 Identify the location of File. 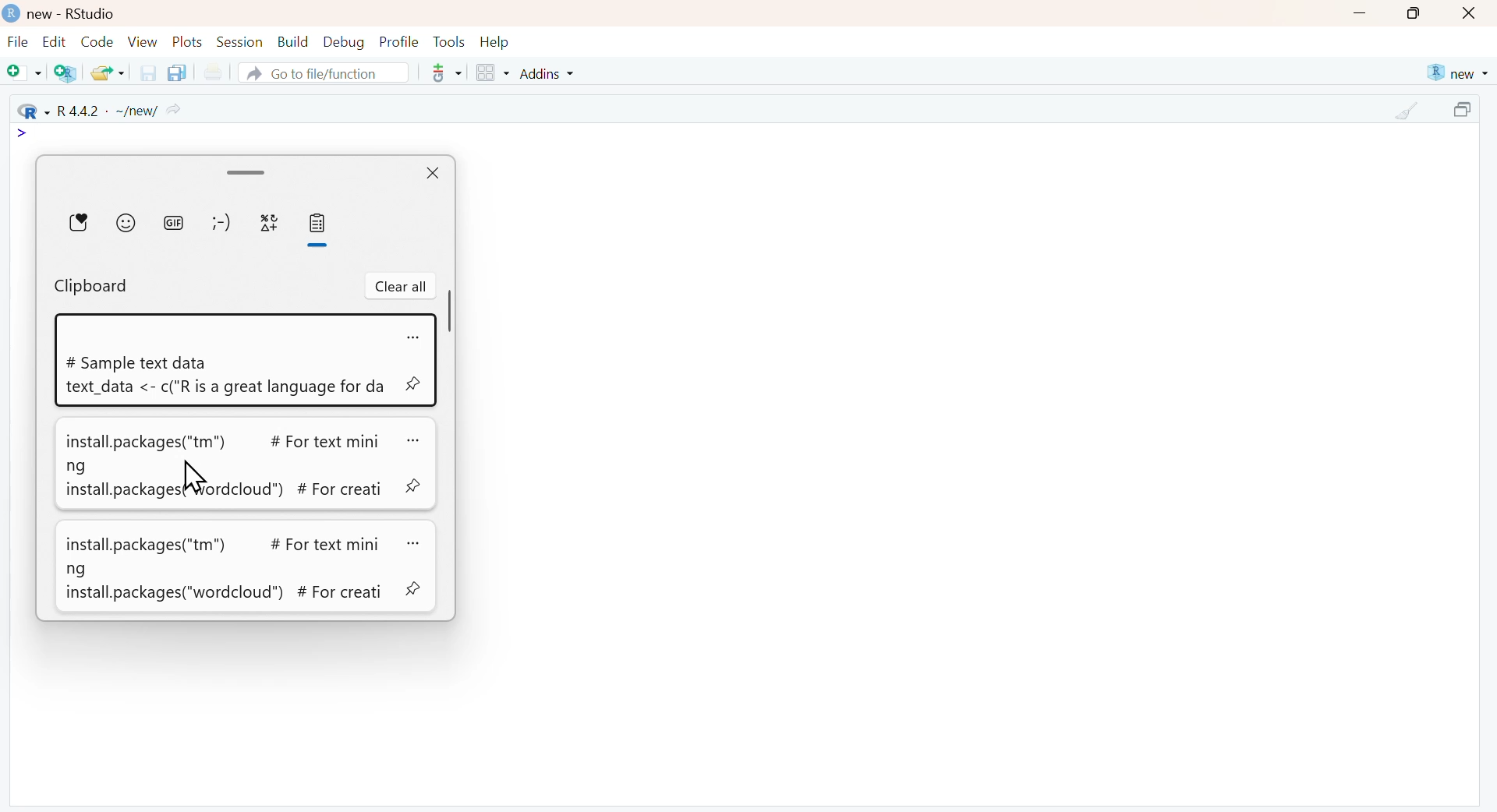
(18, 43).